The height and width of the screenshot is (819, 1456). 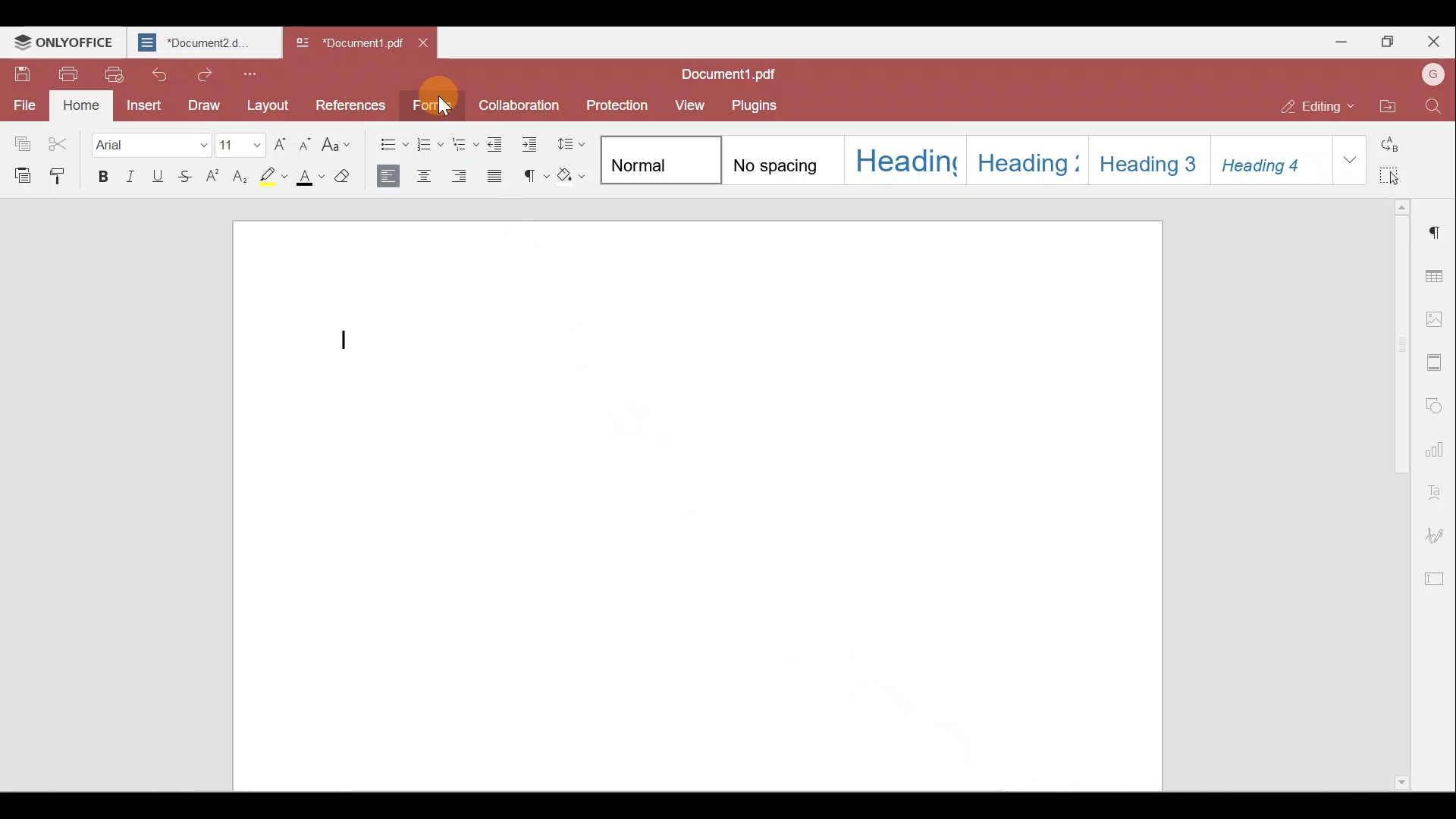 What do you see at coordinates (499, 141) in the screenshot?
I see `Decrease indent` at bounding box center [499, 141].